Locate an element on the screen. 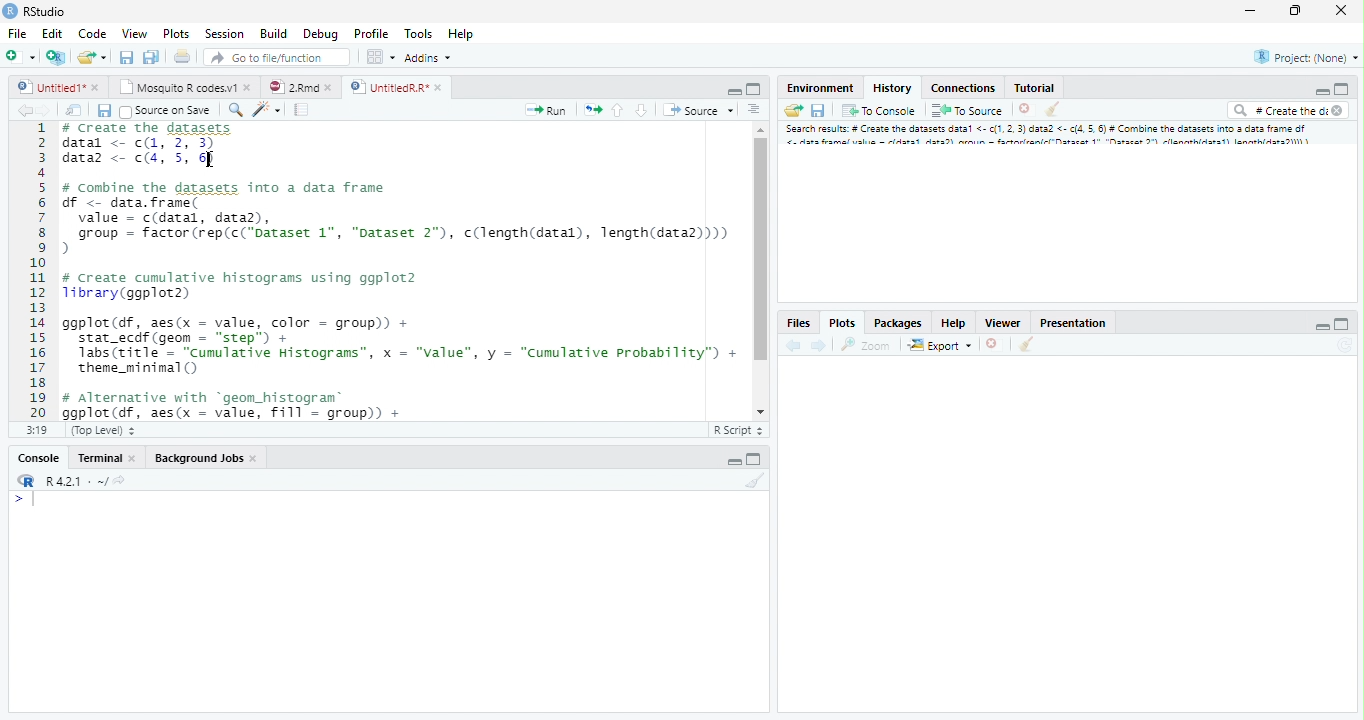 The width and height of the screenshot is (1364, 720). Go to the next section/chunk is located at coordinates (641, 111).